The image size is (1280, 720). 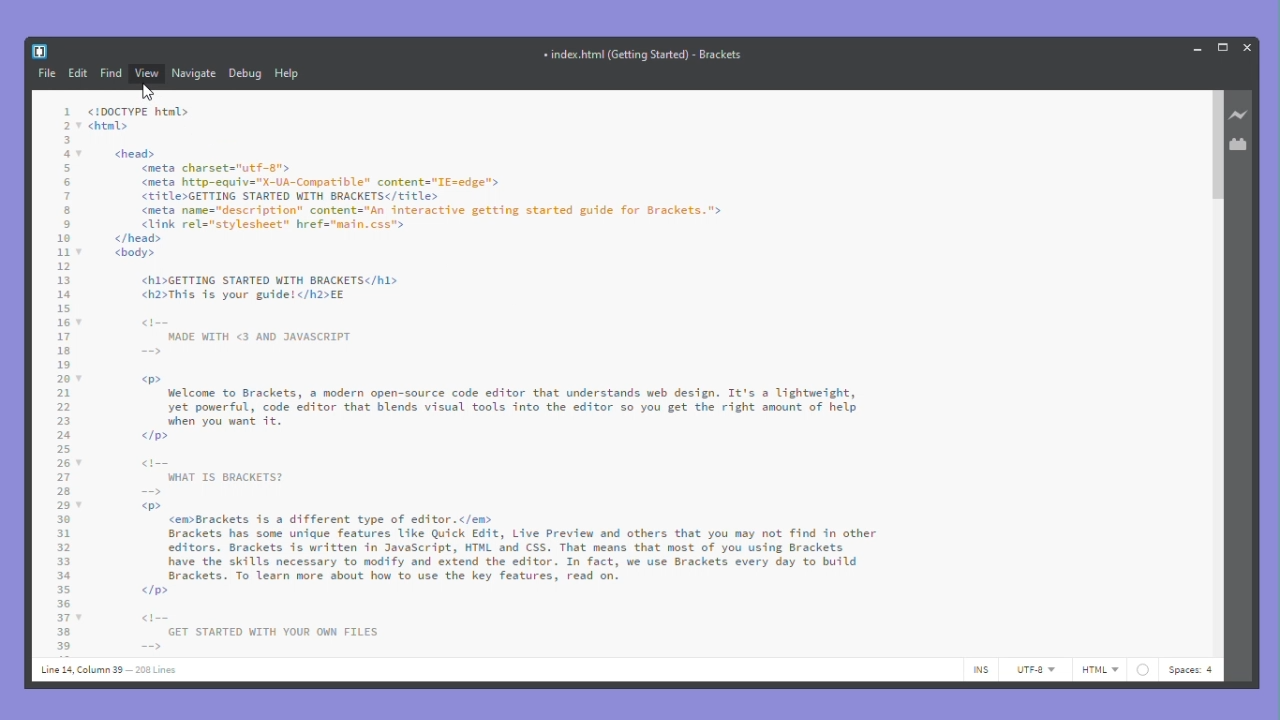 I want to click on 39, so click(x=63, y=646).